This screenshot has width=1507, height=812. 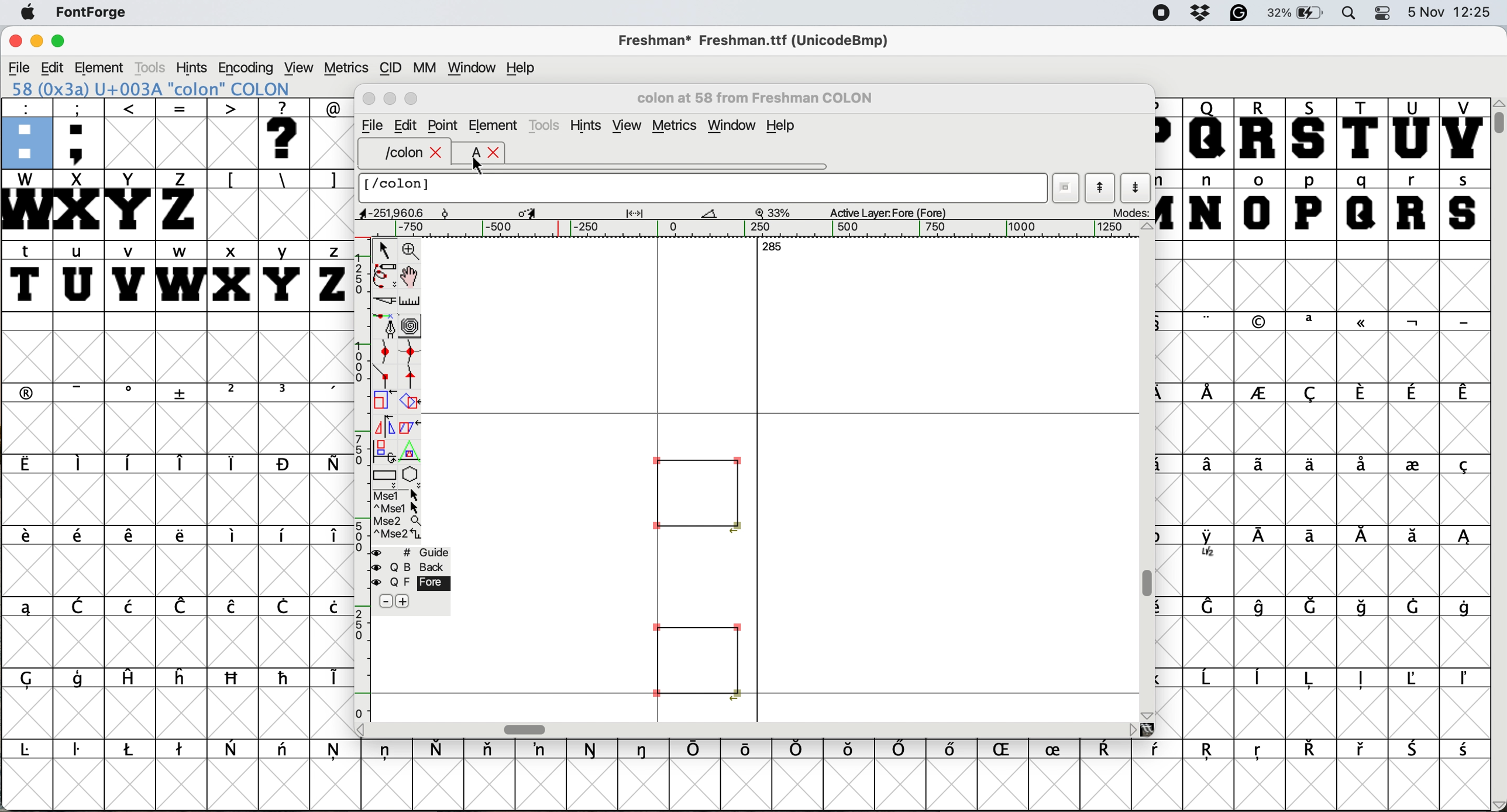 I want to click on symbol, so click(x=329, y=393).